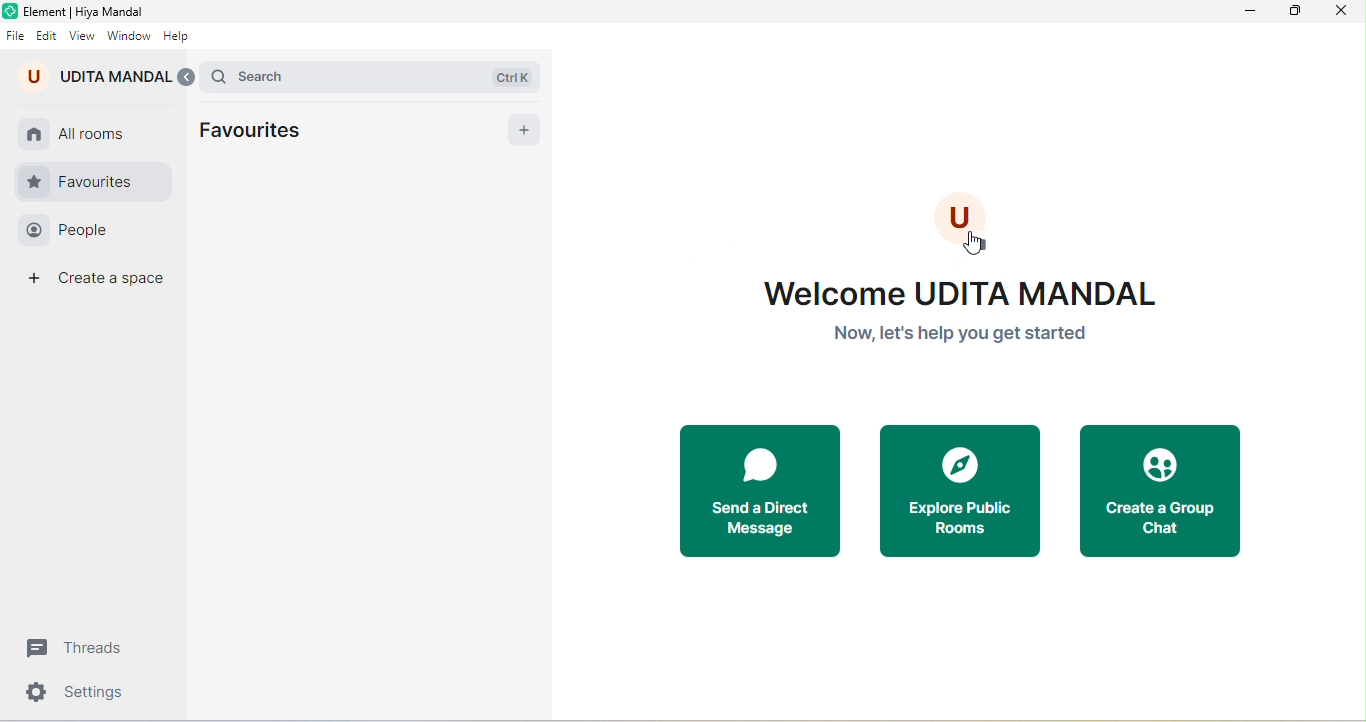 The width and height of the screenshot is (1366, 722). Describe the element at coordinates (970, 222) in the screenshot. I see `profile` at that location.